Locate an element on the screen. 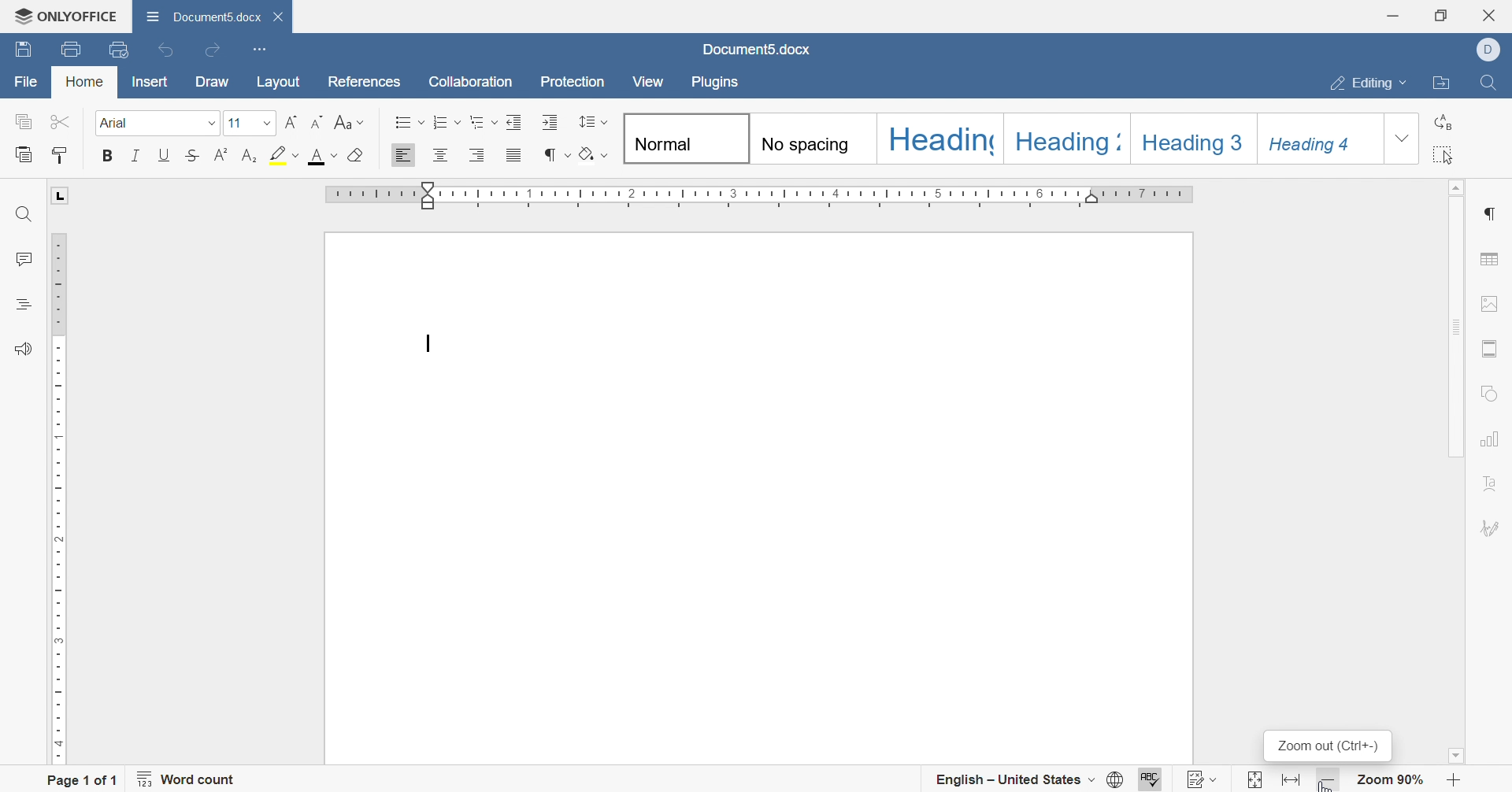 This screenshot has width=1512, height=792. zoom out is located at coordinates (1328, 747).